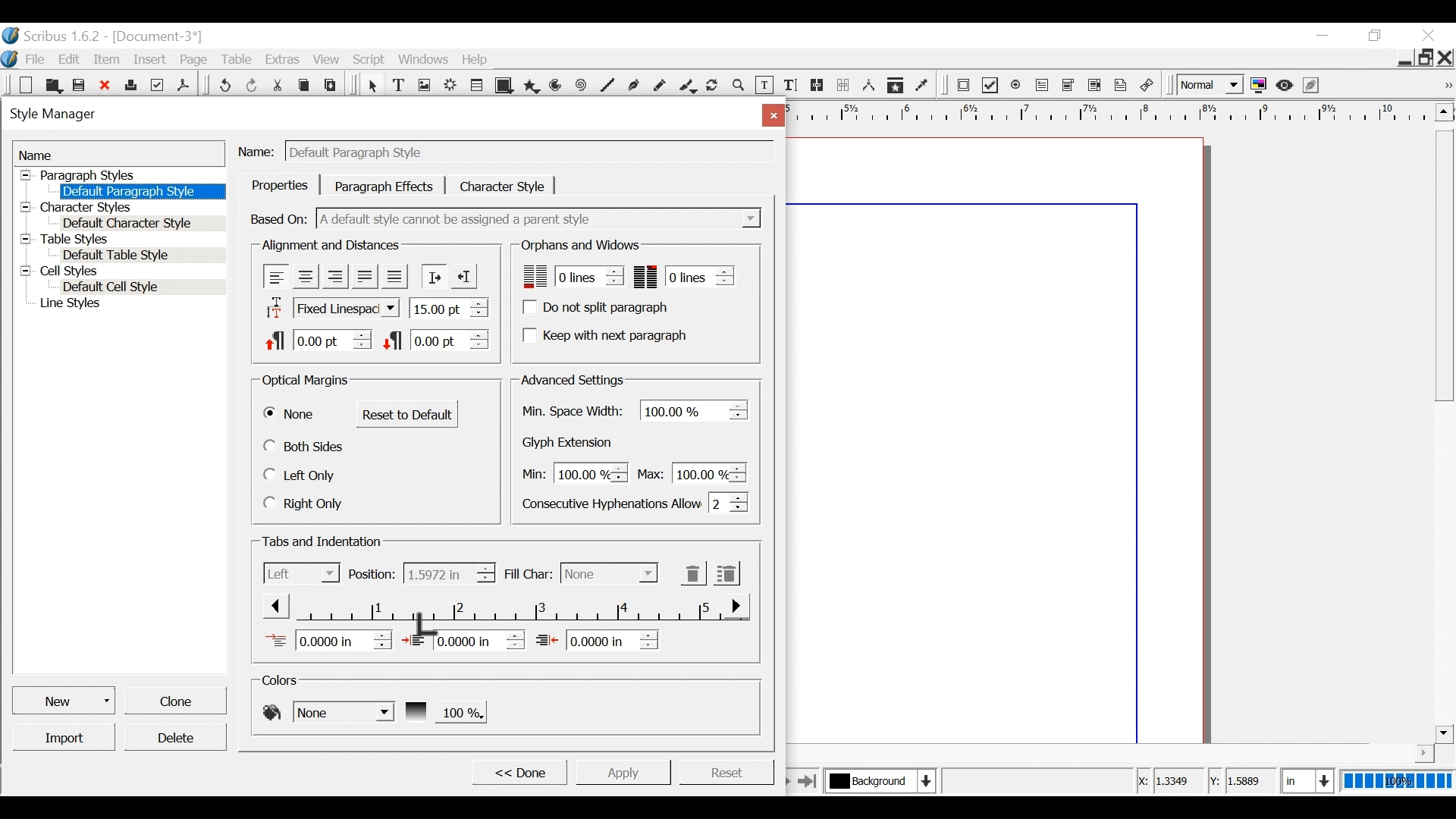 This screenshot has height=819, width=1456. I want to click on line spacing, so click(450, 307).